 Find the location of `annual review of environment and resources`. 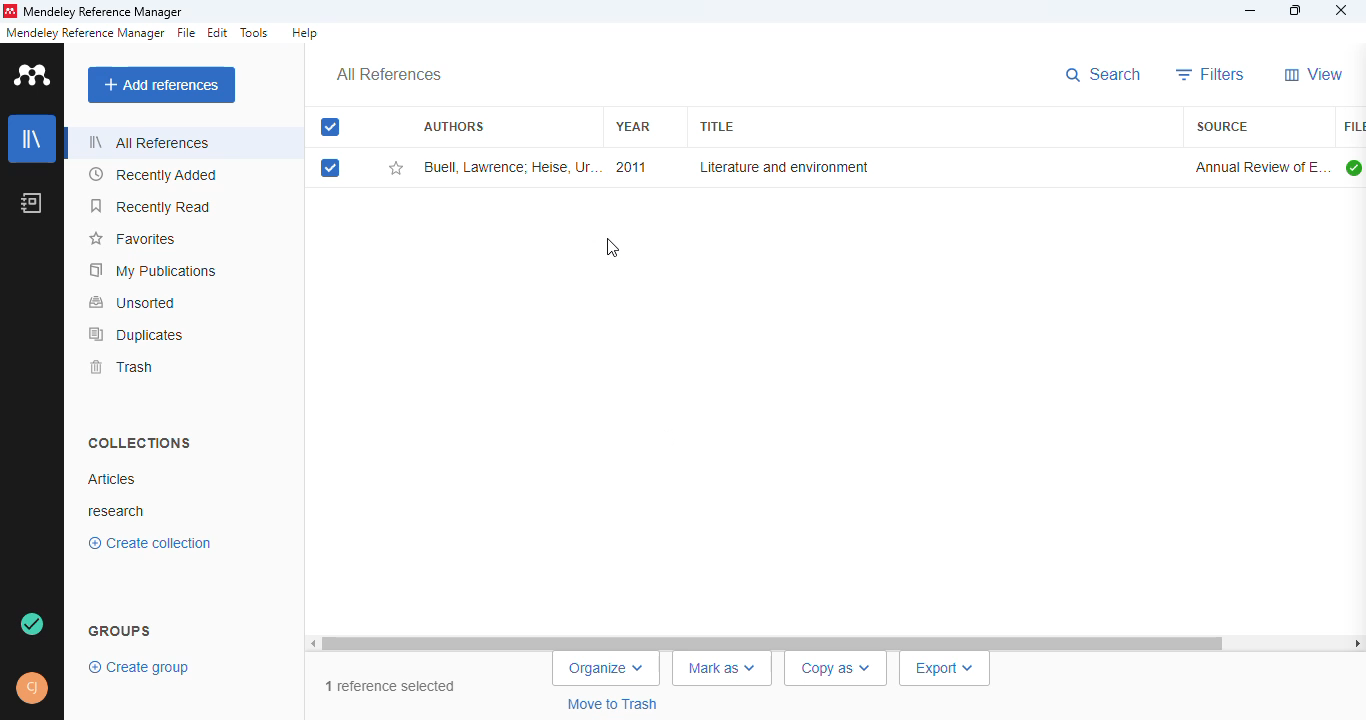

annual review of environment and resources is located at coordinates (1261, 167).